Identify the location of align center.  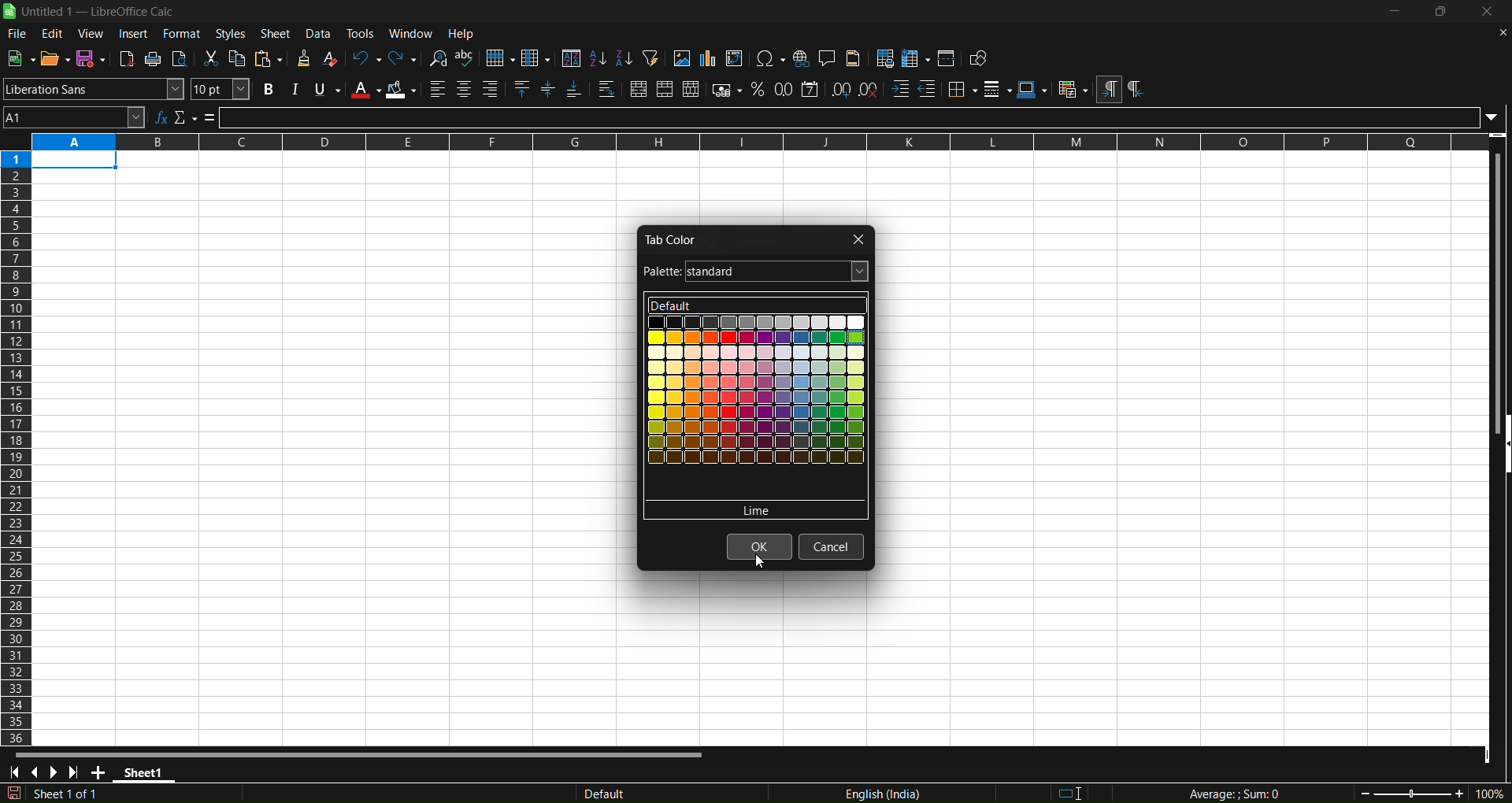
(464, 90).